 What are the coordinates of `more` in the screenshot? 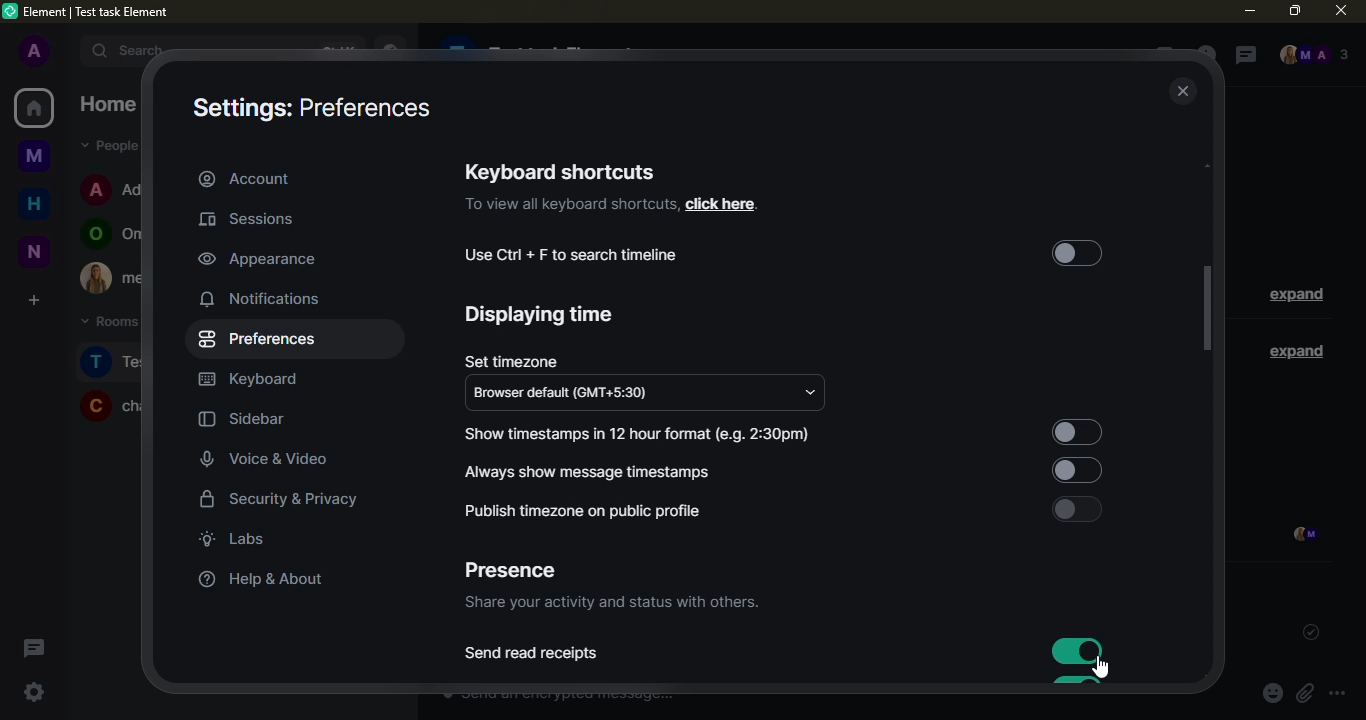 It's located at (1337, 694).